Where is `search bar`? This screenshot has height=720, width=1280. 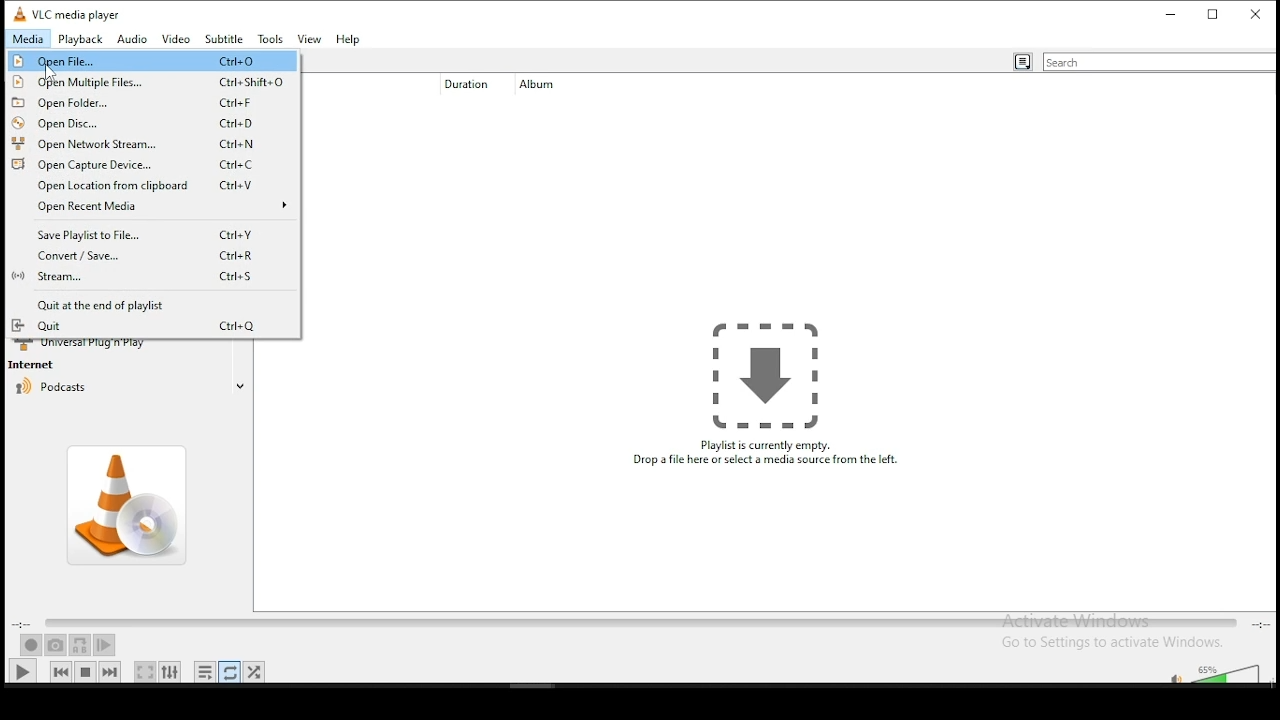
search bar is located at coordinates (1159, 62).